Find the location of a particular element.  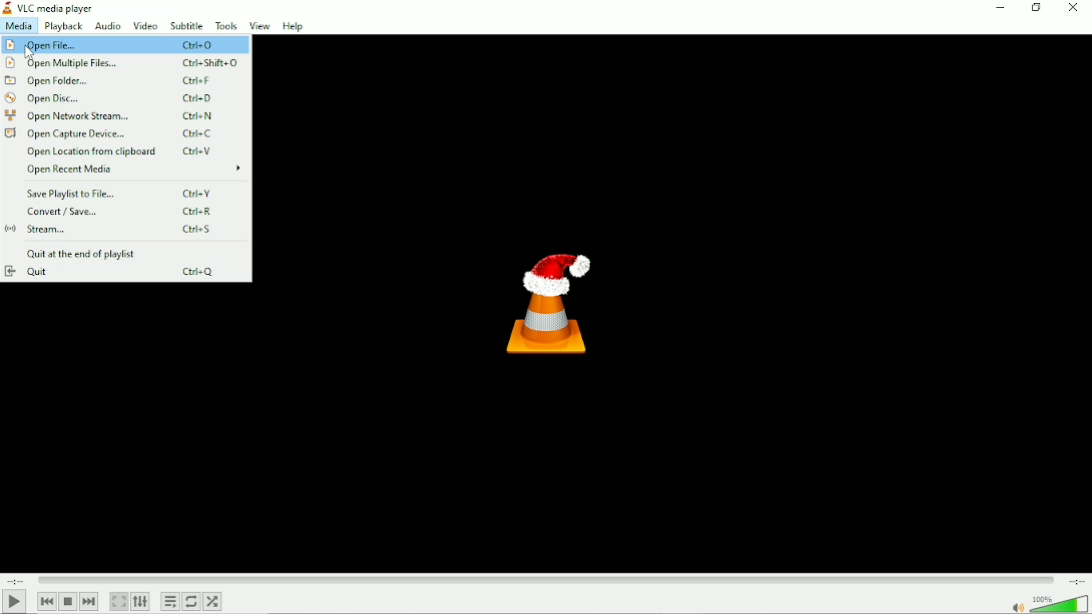

Play is located at coordinates (14, 602).